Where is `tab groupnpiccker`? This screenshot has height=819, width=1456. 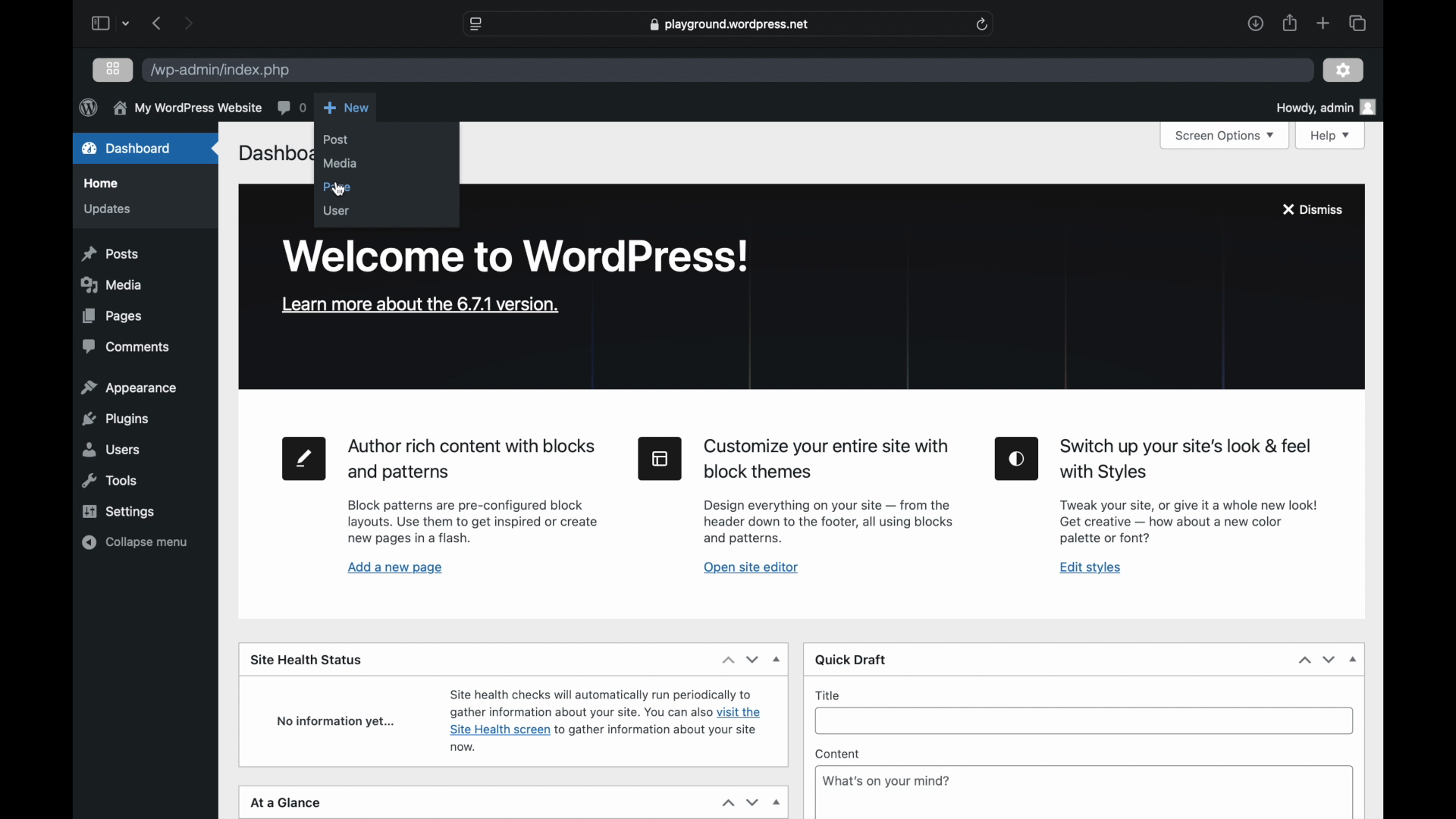
tab groupnpiccker is located at coordinates (126, 24).